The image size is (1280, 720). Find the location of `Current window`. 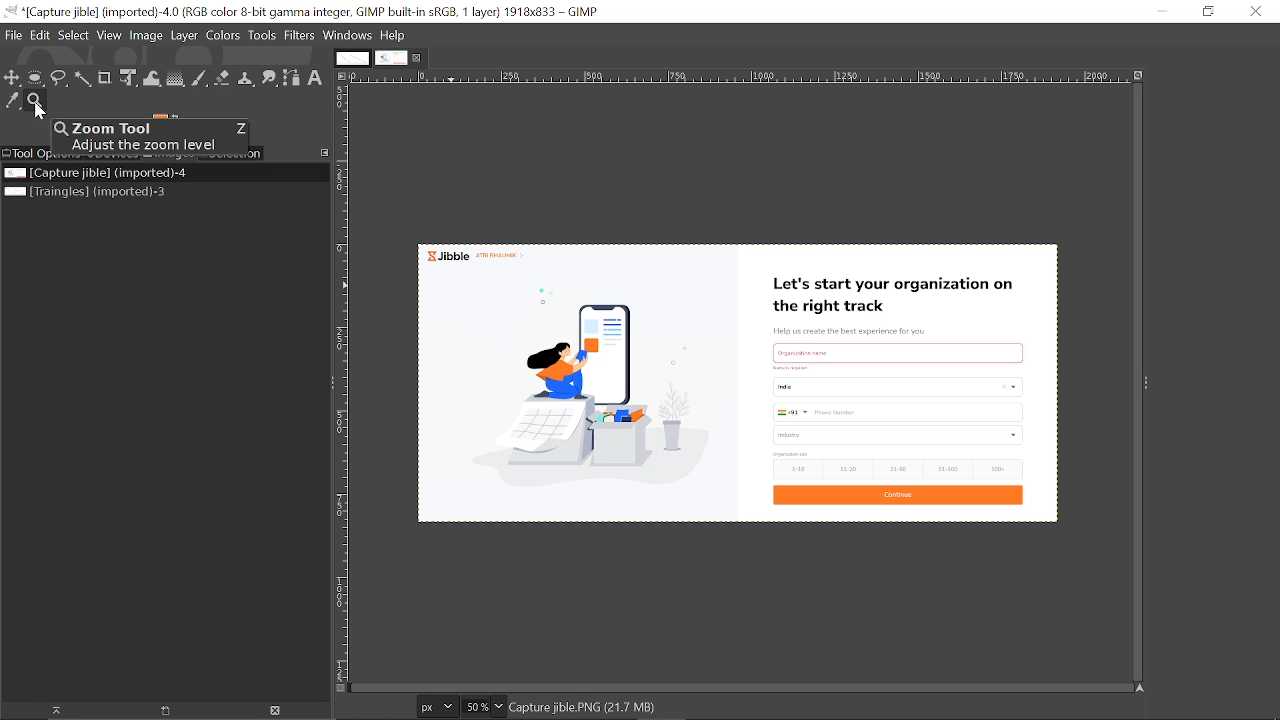

Current window is located at coordinates (303, 12).